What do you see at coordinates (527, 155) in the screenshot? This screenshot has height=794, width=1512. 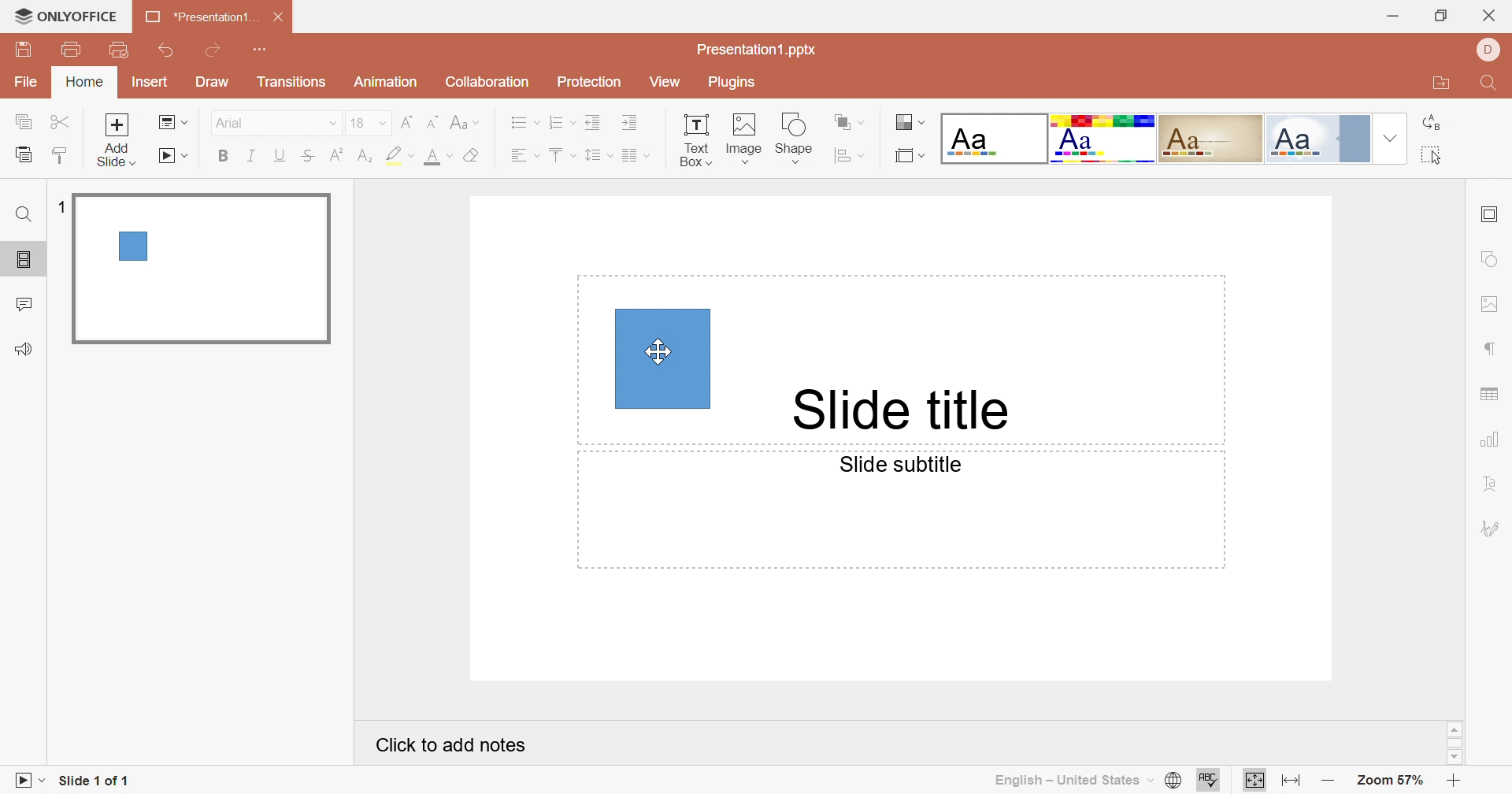 I see `Align Left` at bounding box center [527, 155].